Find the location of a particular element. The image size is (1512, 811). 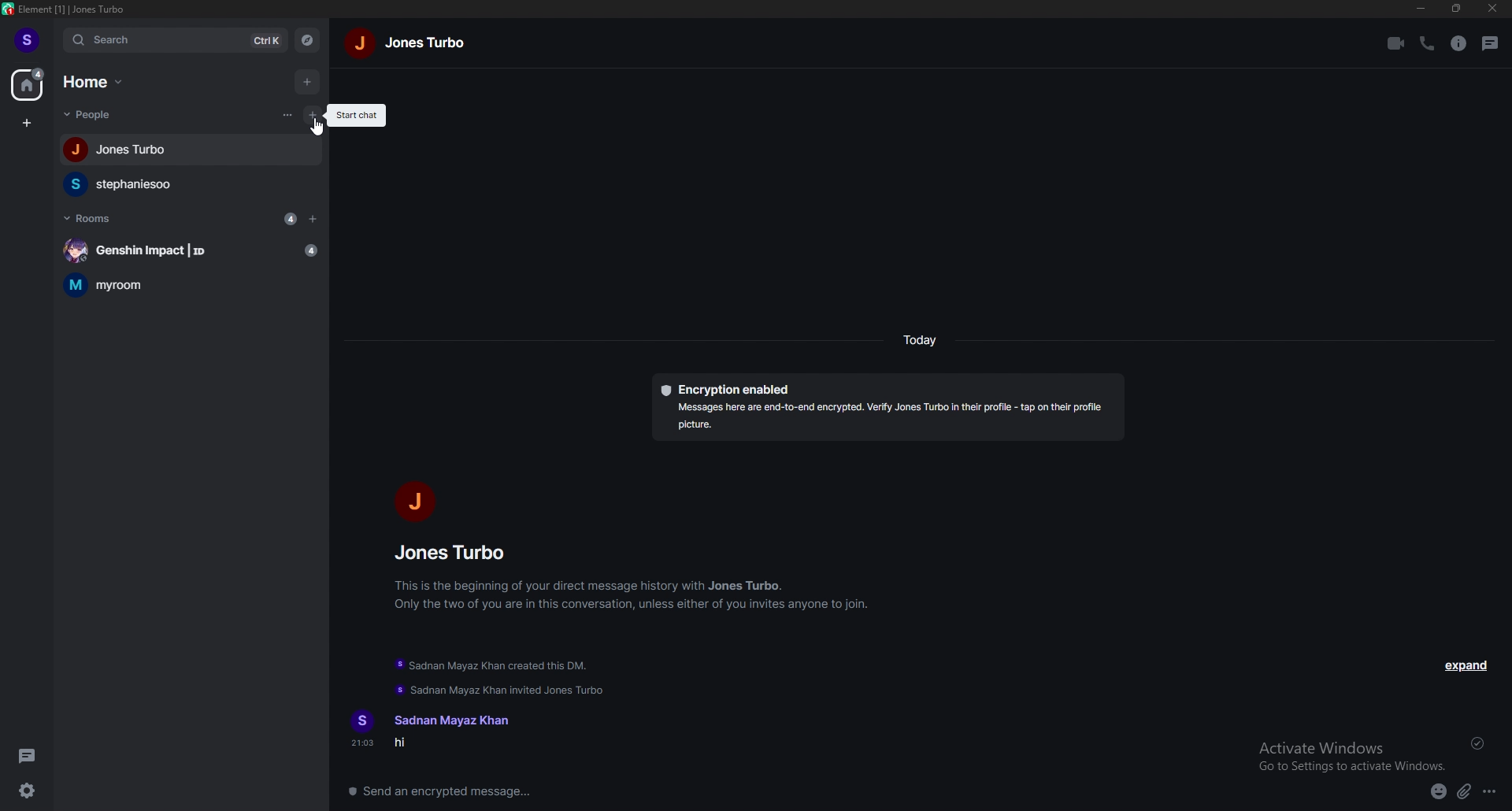

minimize is located at coordinates (1422, 8).